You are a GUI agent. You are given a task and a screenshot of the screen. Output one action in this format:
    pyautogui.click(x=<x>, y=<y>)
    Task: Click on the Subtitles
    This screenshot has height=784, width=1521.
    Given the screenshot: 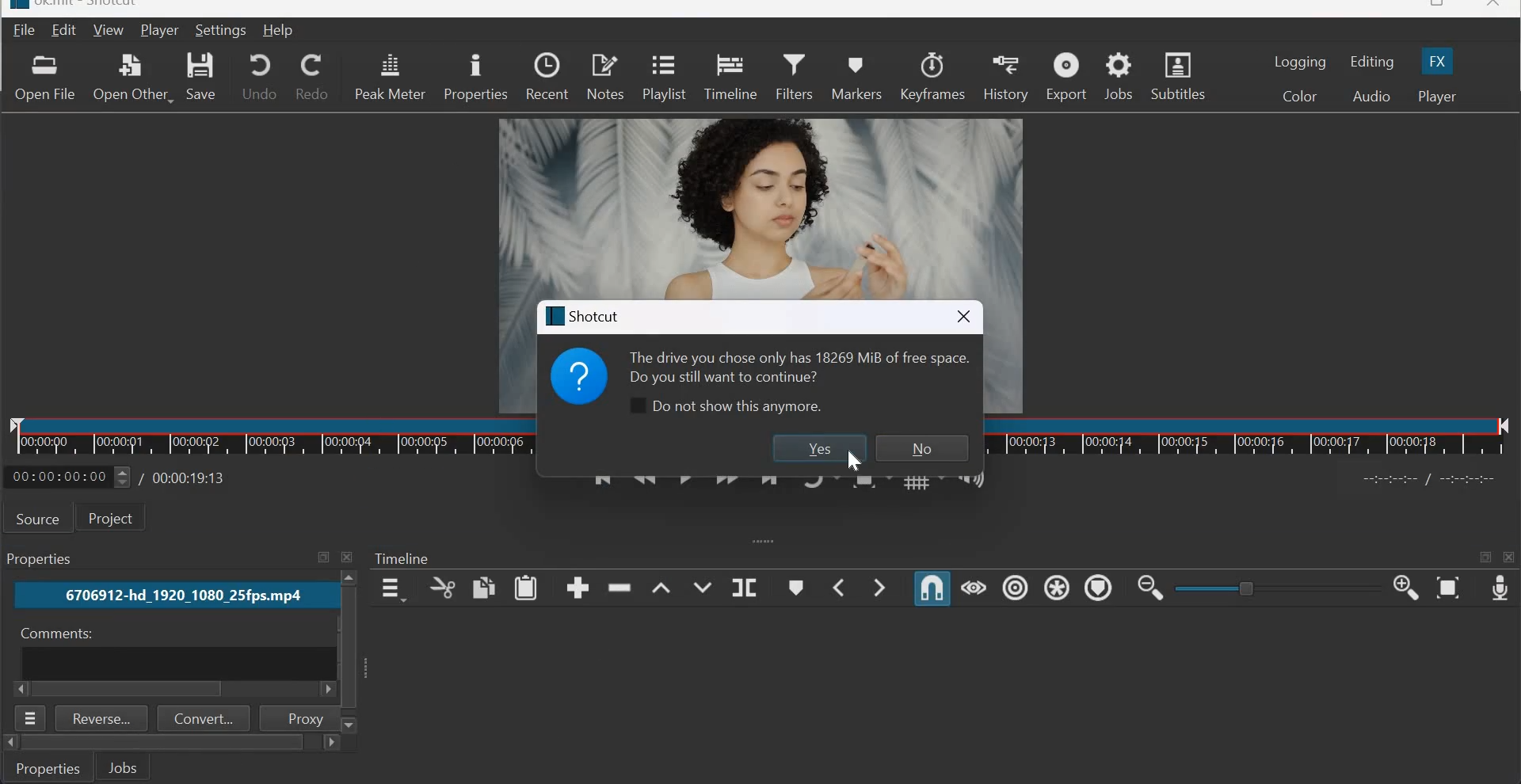 What is the action you would take?
    pyautogui.click(x=1177, y=74)
    